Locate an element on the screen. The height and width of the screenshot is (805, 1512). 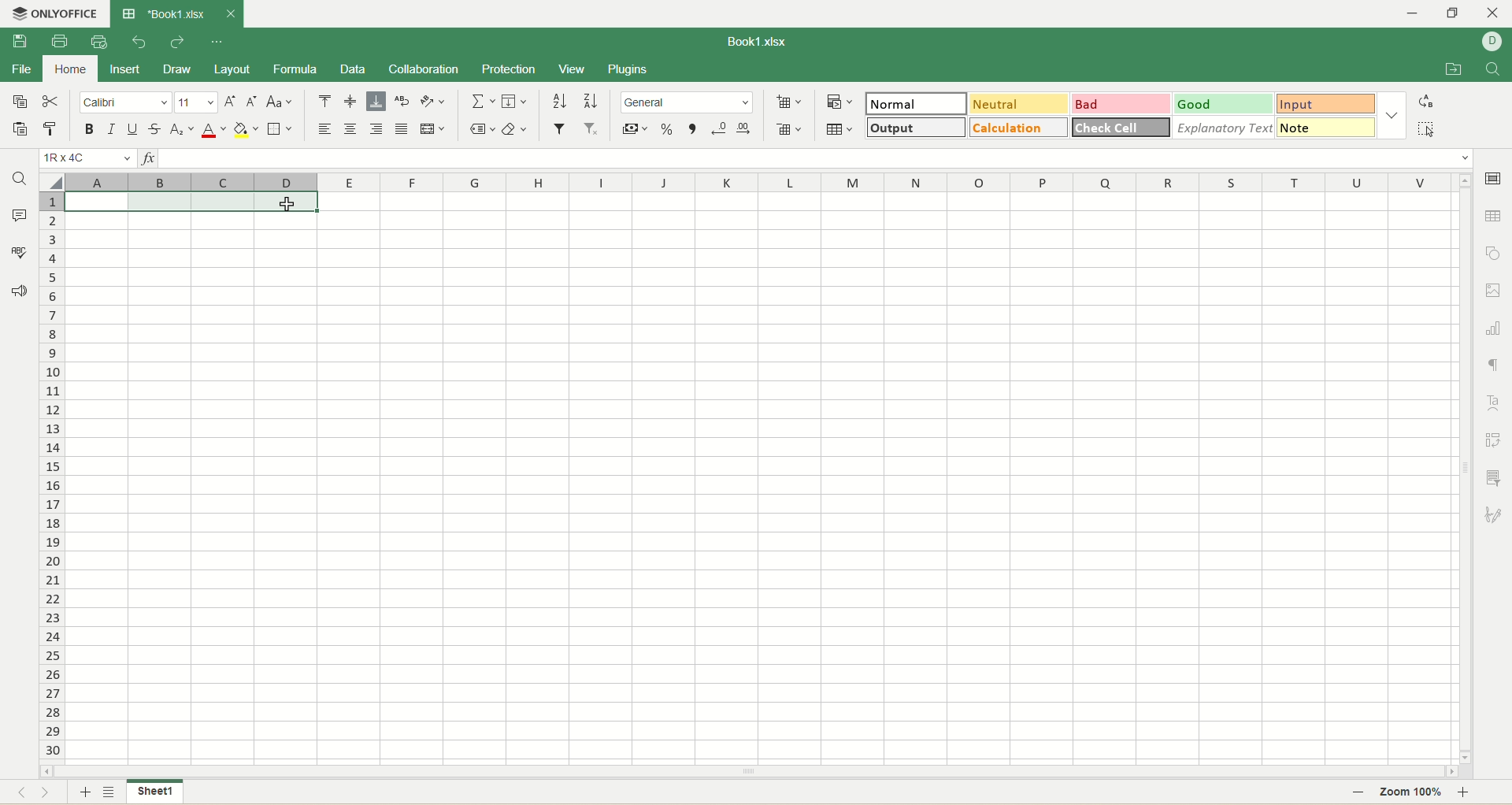
comment is located at coordinates (21, 217).